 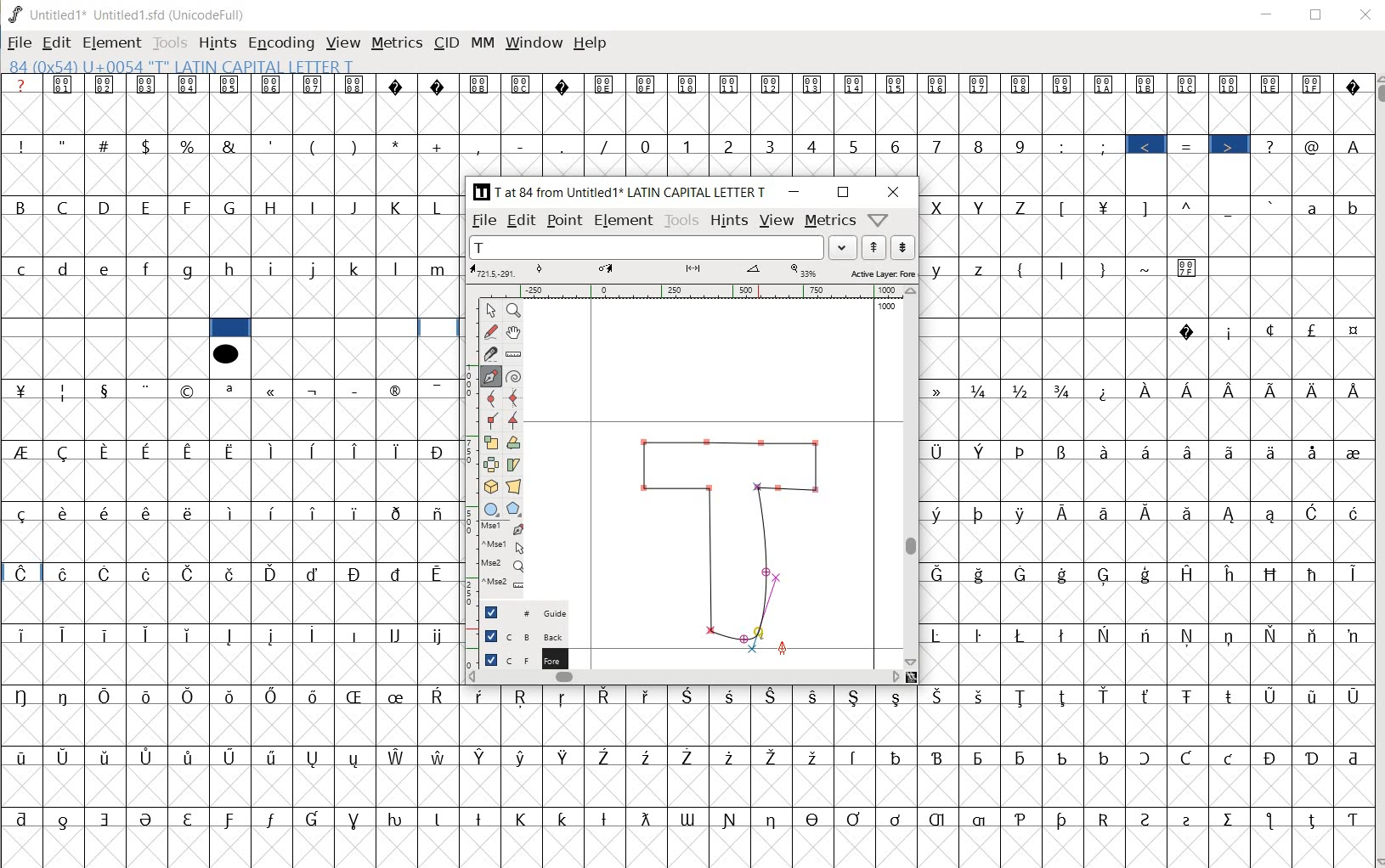 I want to click on Symbol, so click(x=811, y=695).